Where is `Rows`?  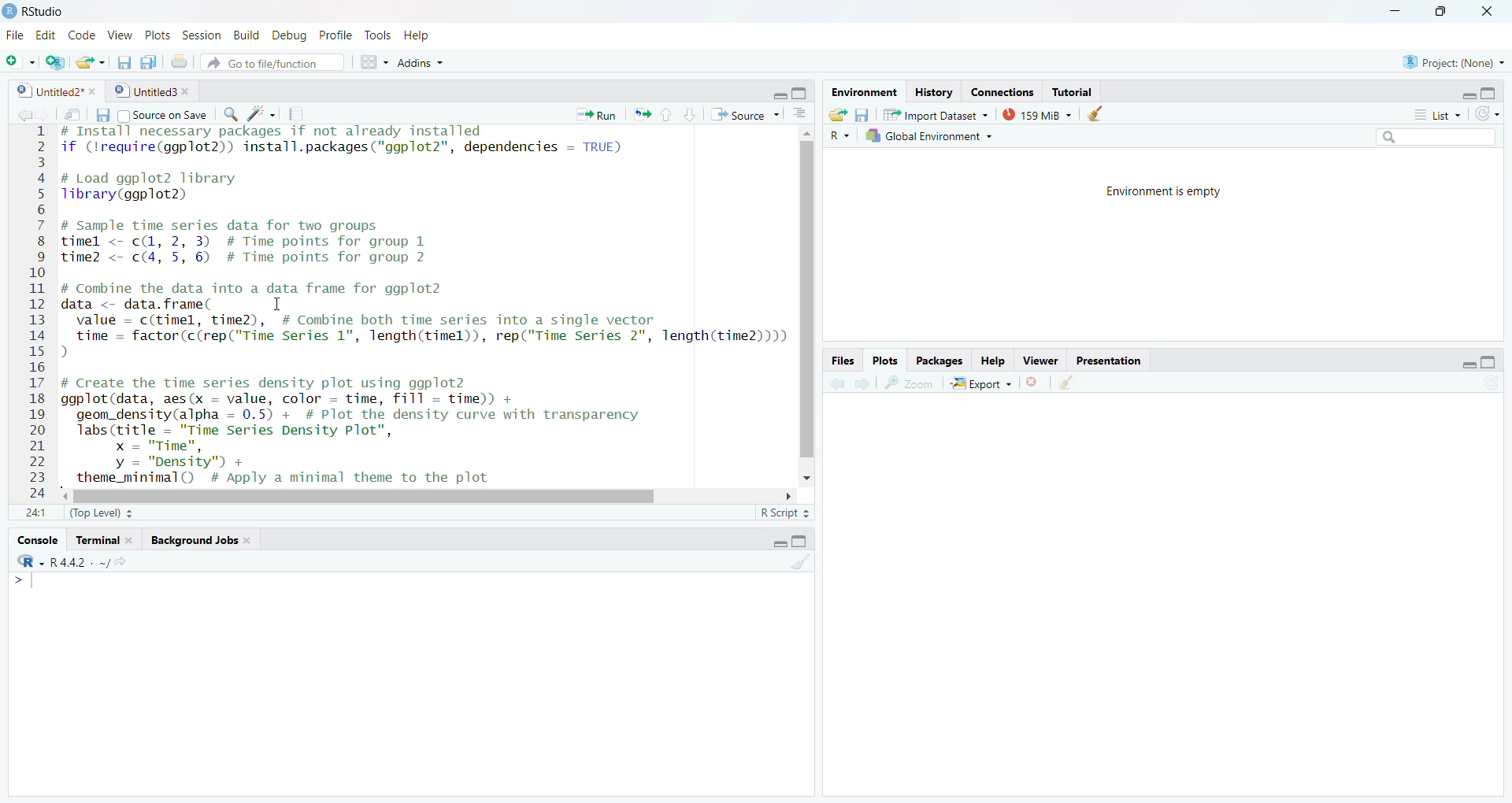 Rows is located at coordinates (34, 315).